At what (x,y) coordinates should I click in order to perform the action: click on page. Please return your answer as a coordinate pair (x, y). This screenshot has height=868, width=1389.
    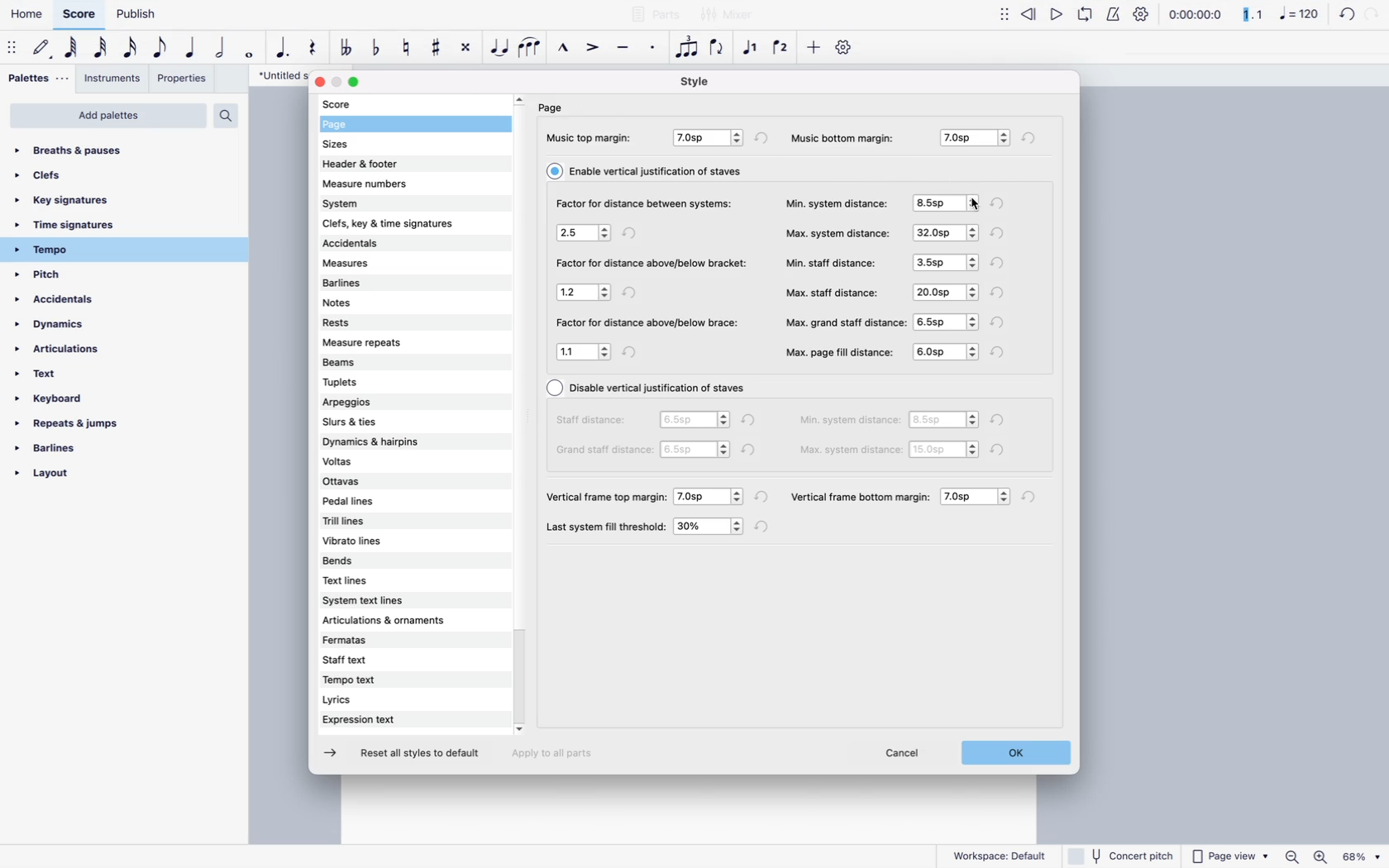
    Looking at the image, I should click on (357, 126).